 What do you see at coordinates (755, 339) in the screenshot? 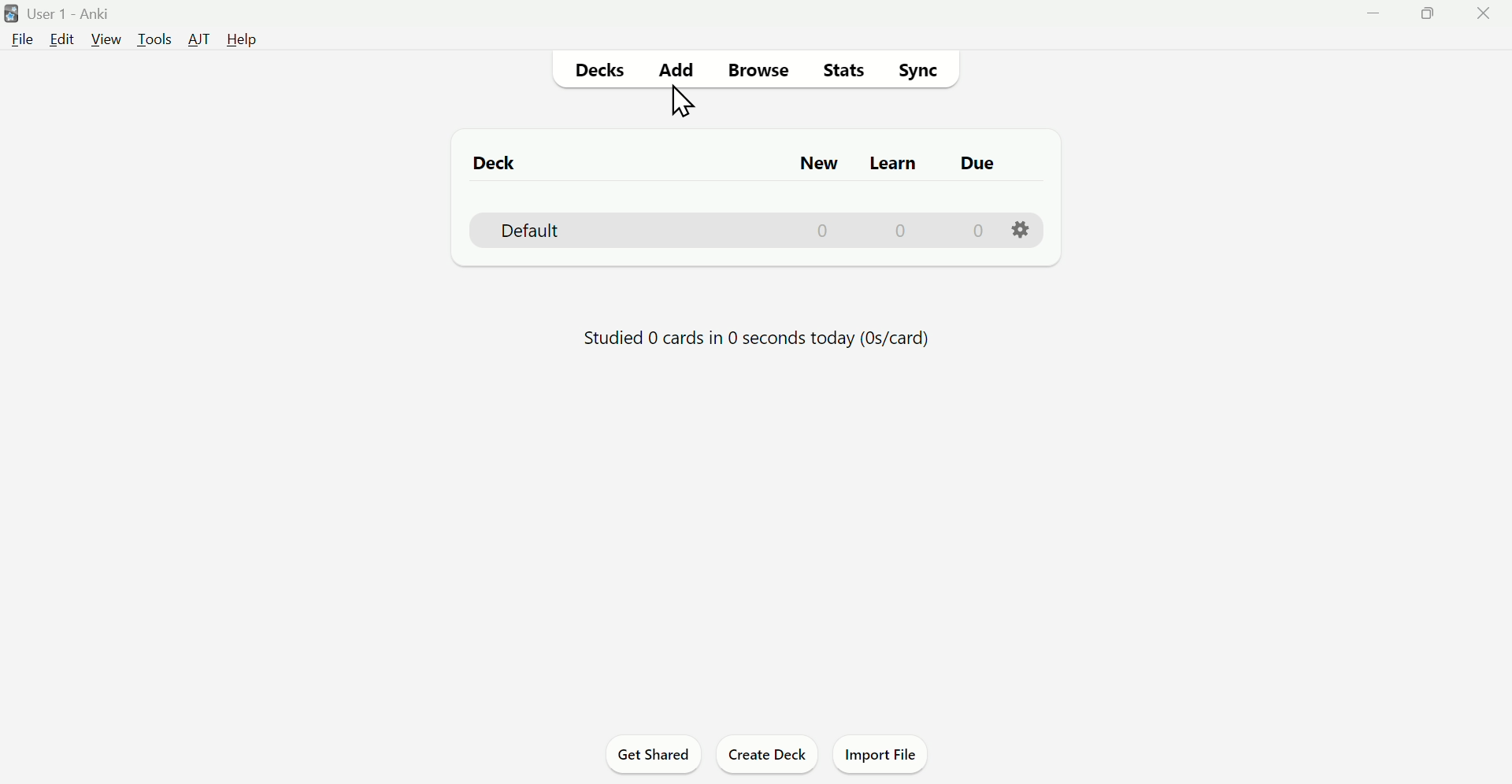
I see `Progress bar` at bounding box center [755, 339].